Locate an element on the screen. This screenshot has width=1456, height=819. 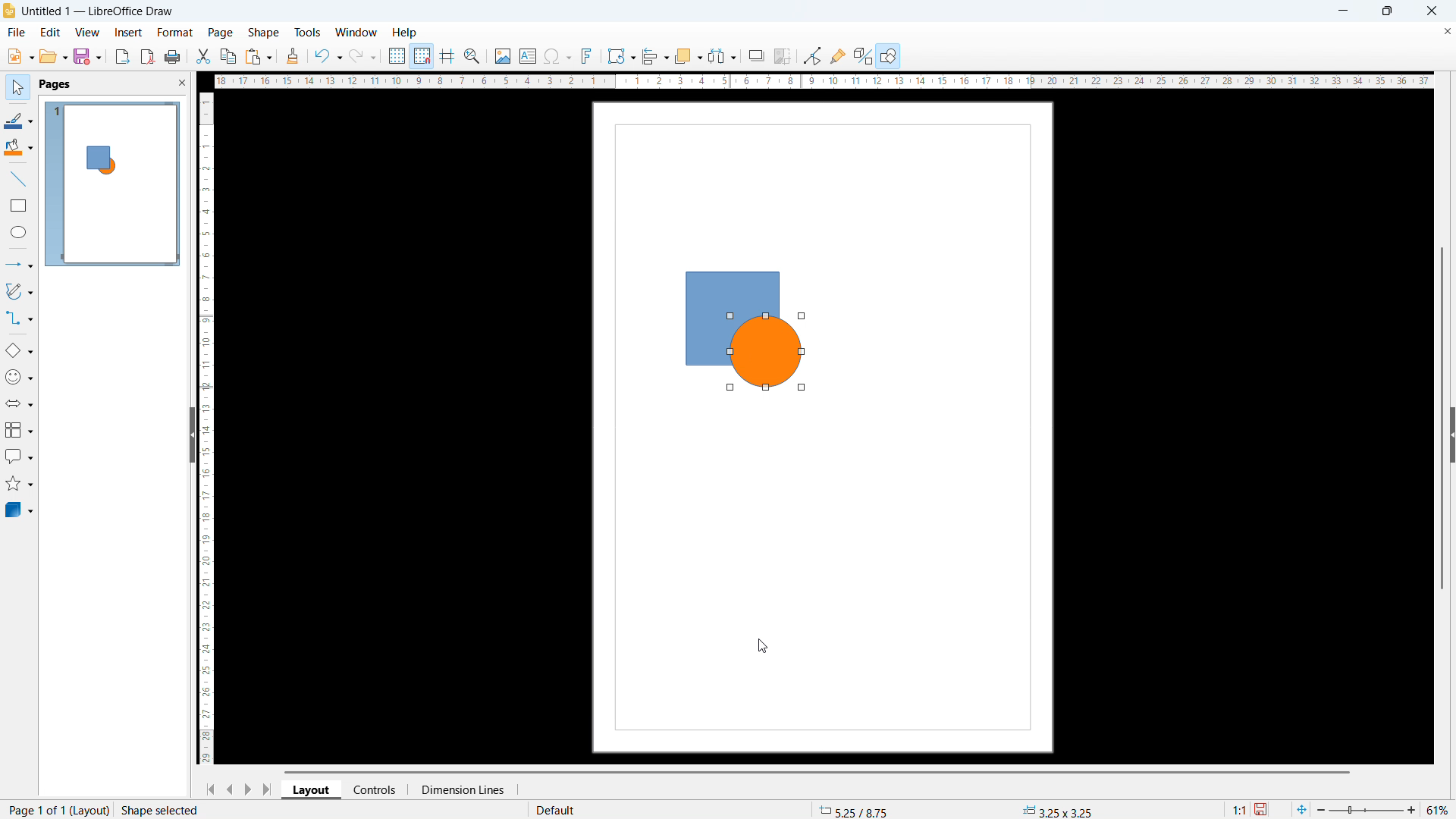
Hide pane  is located at coordinates (186, 435).